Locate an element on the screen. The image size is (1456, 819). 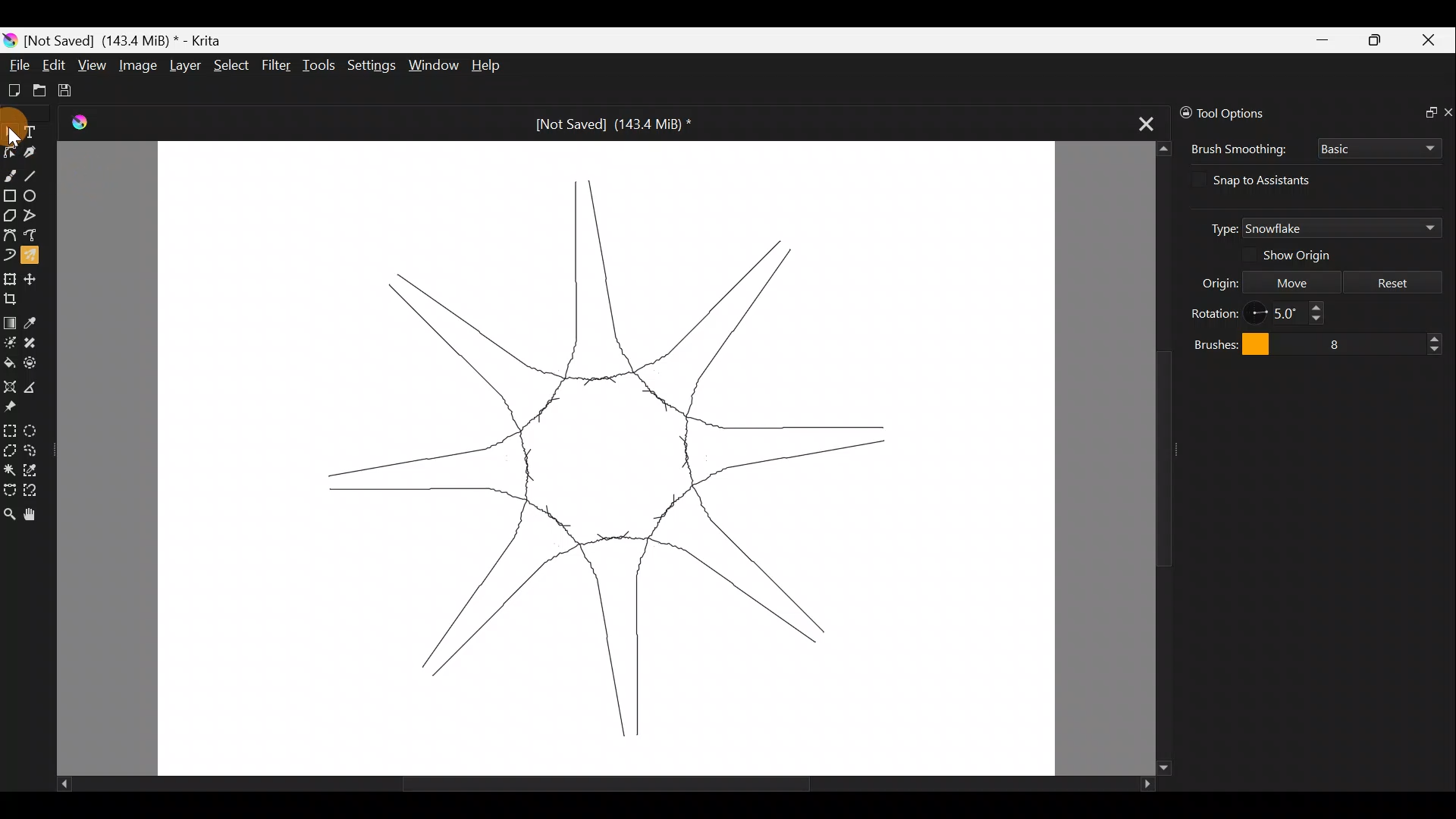
Help is located at coordinates (496, 65).